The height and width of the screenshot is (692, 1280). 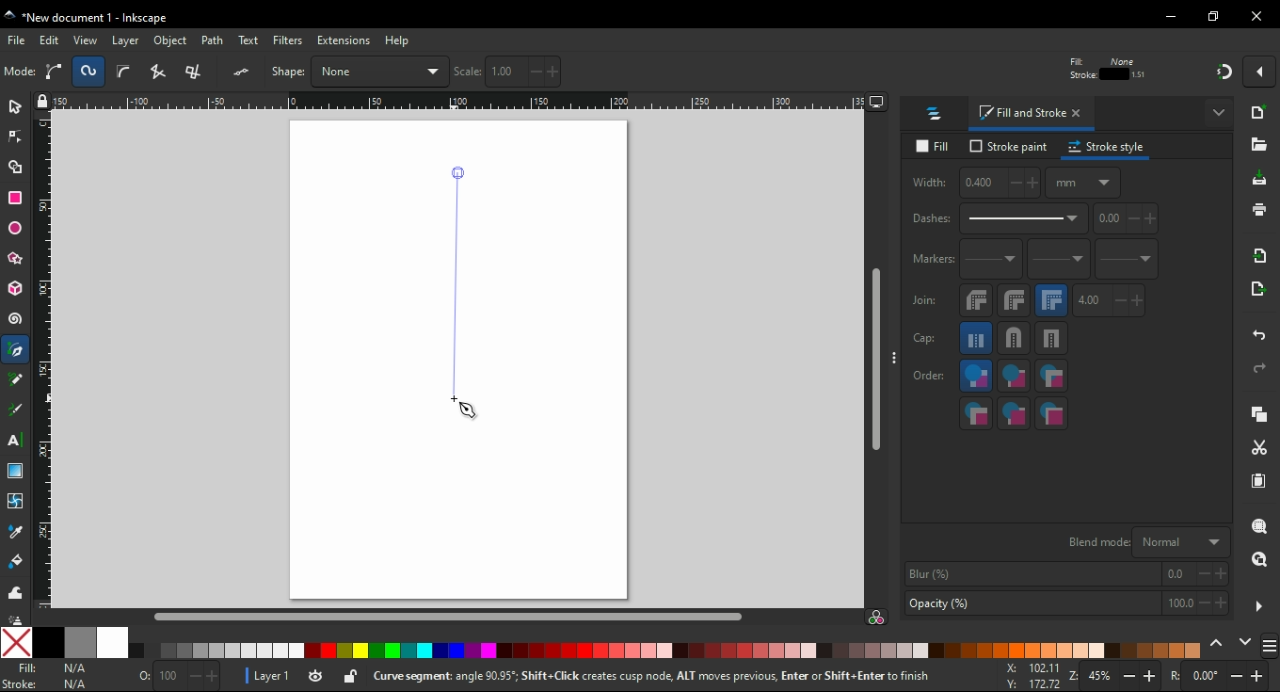 What do you see at coordinates (16, 379) in the screenshot?
I see `pencil` at bounding box center [16, 379].